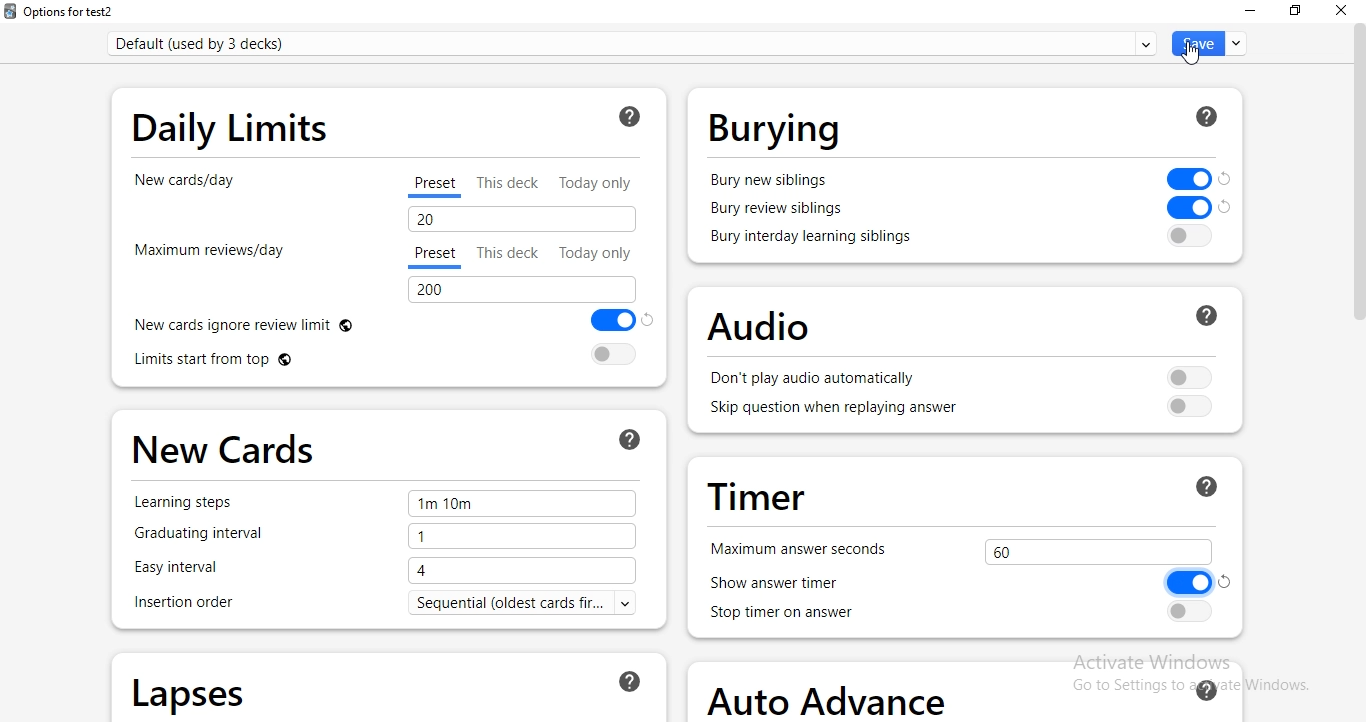  What do you see at coordinates (384, 448) in the screenshot?
I see `new cards` at bounding box center [384, 448].